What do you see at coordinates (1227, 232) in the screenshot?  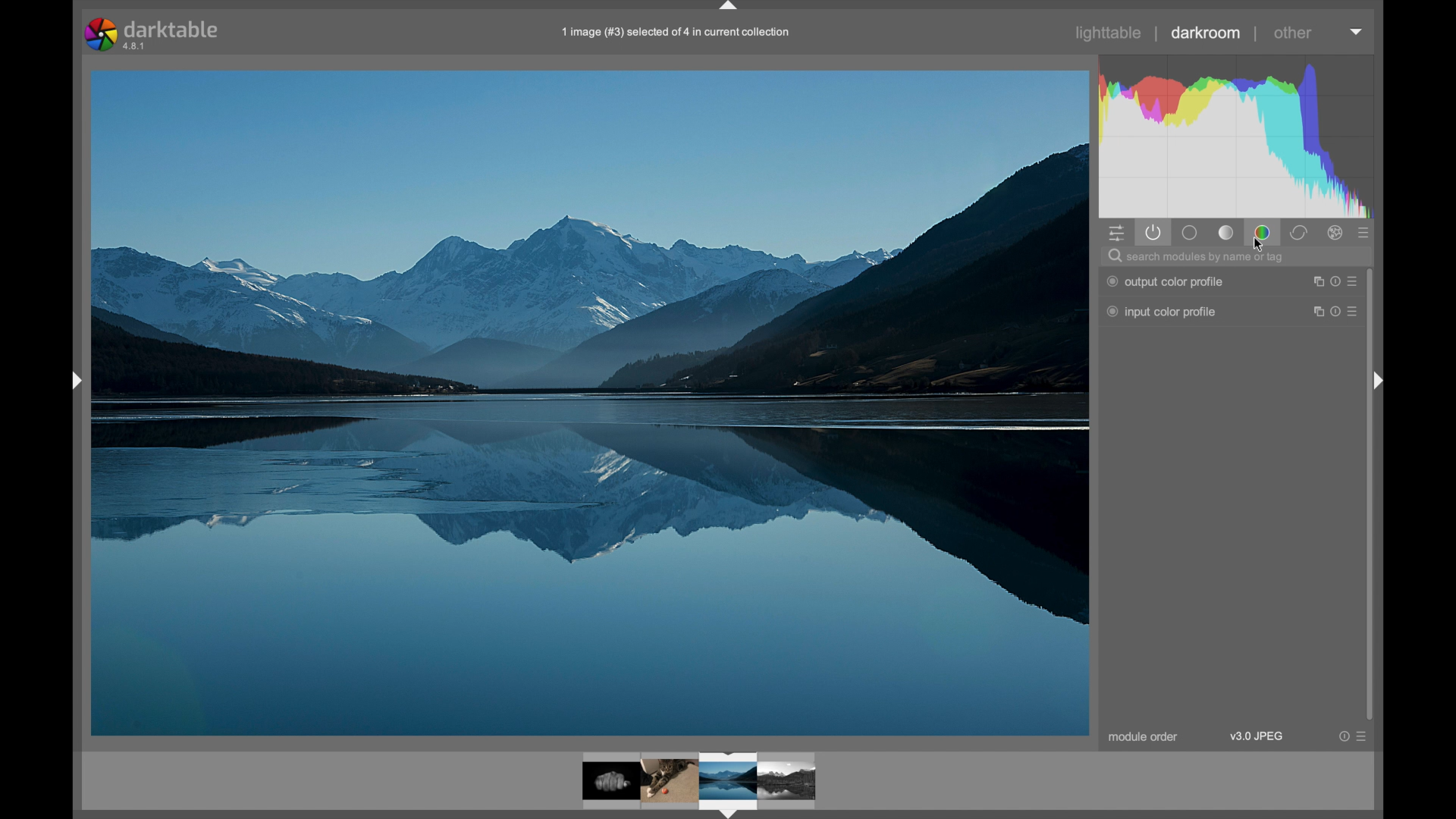 I see `tone` at bounding box center [1227, 232].